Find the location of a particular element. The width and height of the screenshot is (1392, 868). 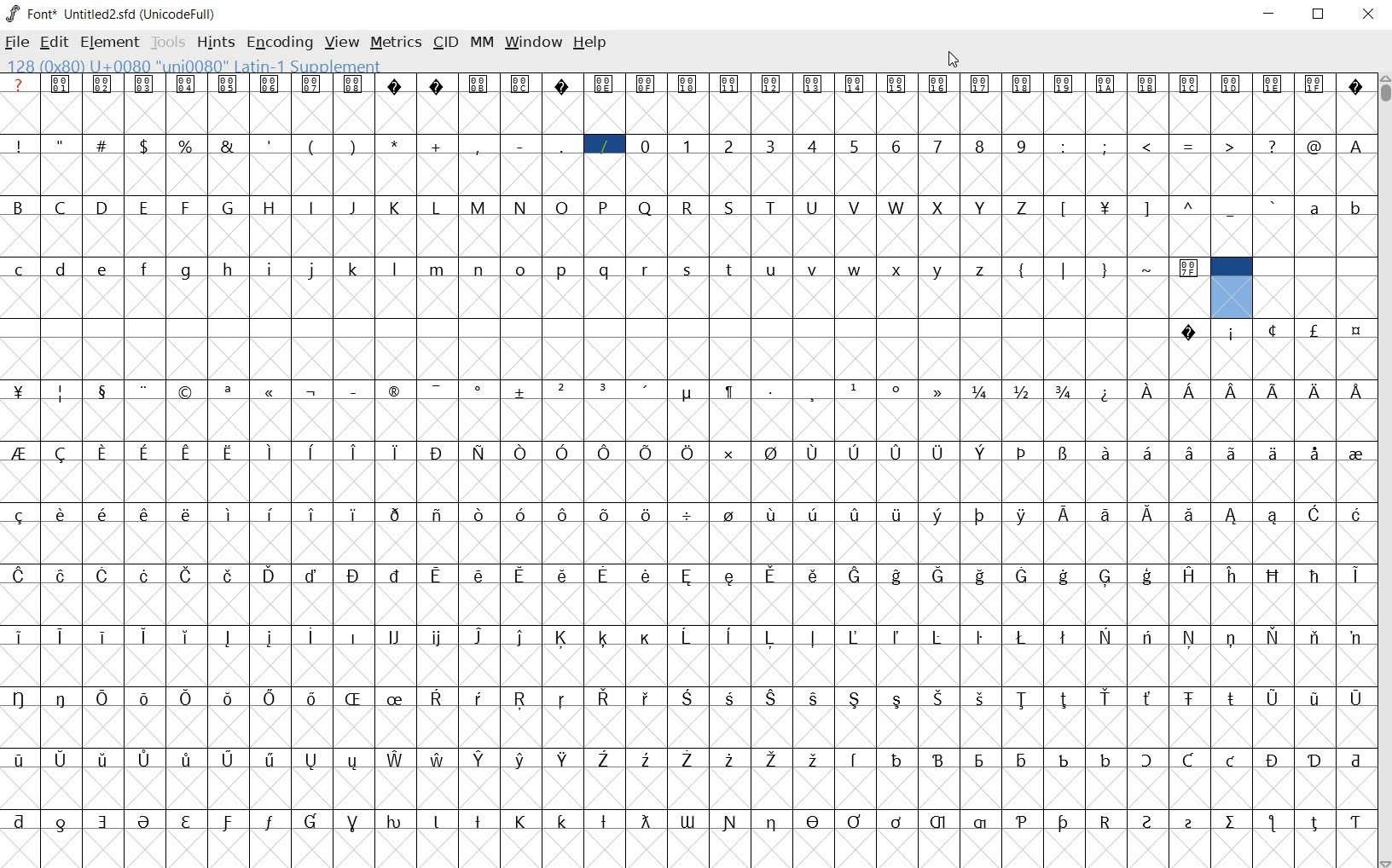

Symbol is located at coordinates (942, 757).